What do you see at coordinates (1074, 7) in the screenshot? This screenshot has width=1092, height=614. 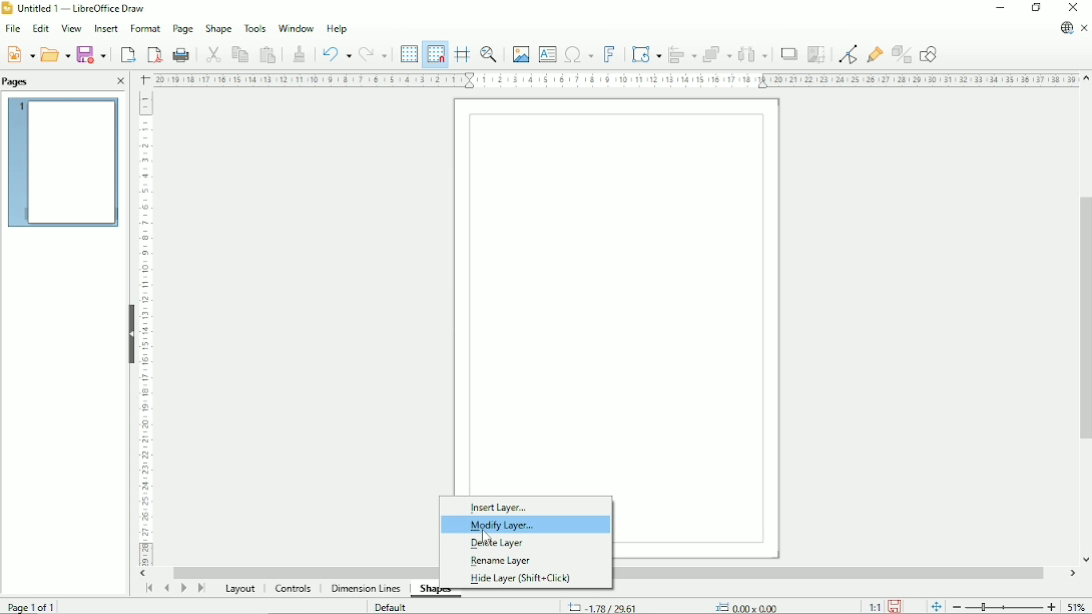 I see `Close` at bounding box center [1074, 7].